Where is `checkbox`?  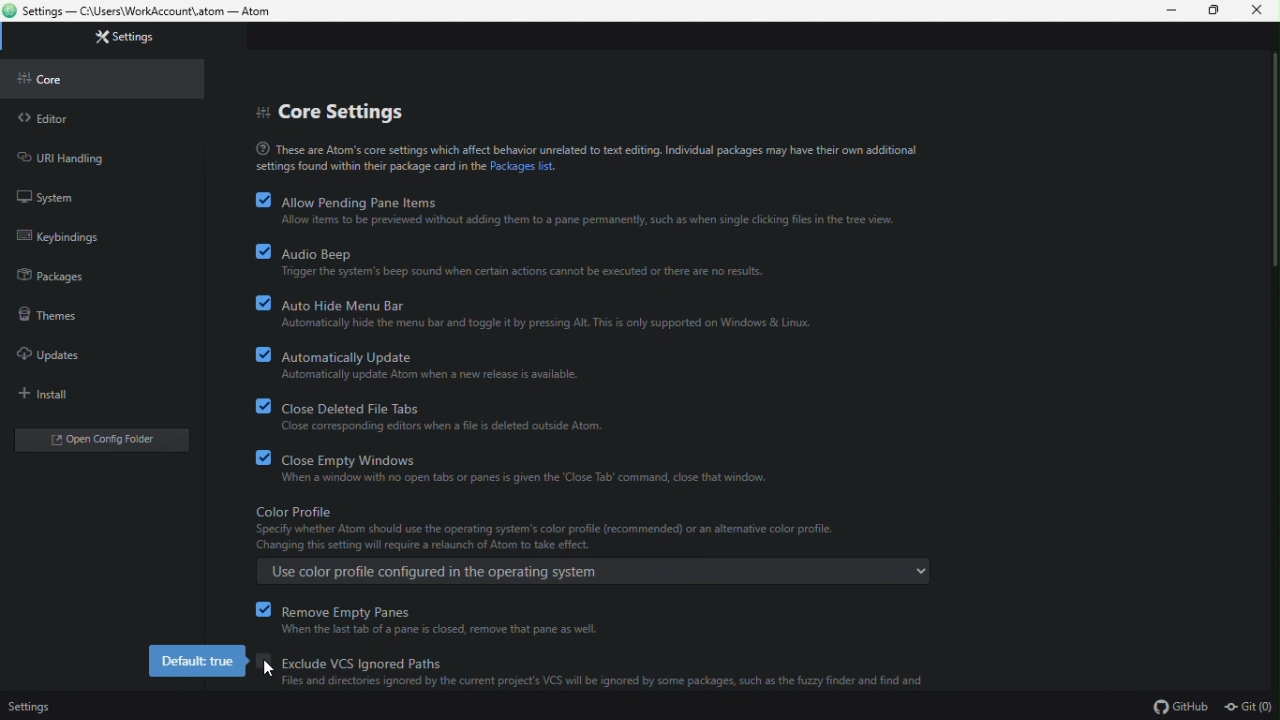
checkbox is located at coordinates (251, 406).